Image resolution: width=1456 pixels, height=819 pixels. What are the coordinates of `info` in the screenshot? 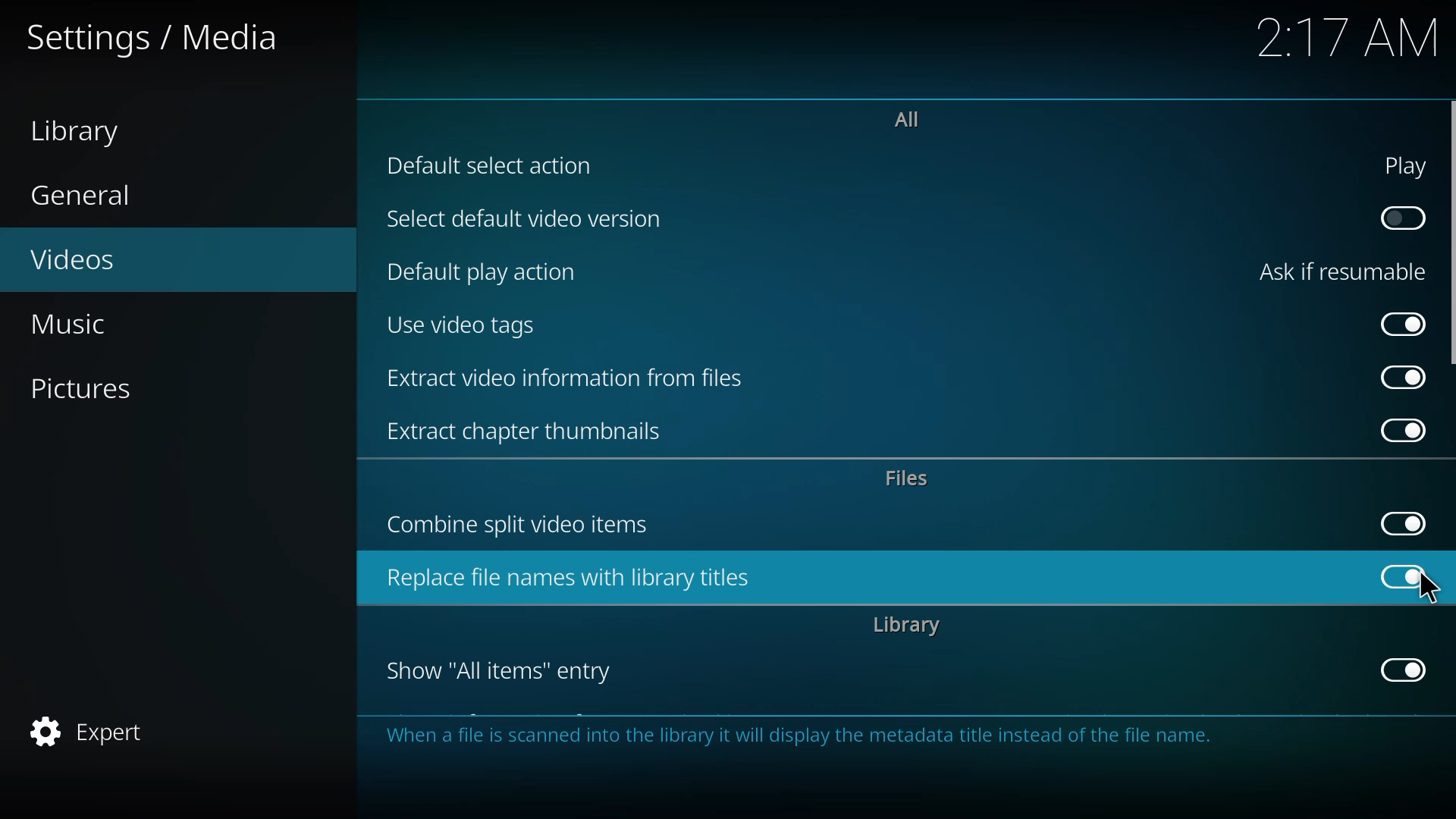 It's located at (803, 739).